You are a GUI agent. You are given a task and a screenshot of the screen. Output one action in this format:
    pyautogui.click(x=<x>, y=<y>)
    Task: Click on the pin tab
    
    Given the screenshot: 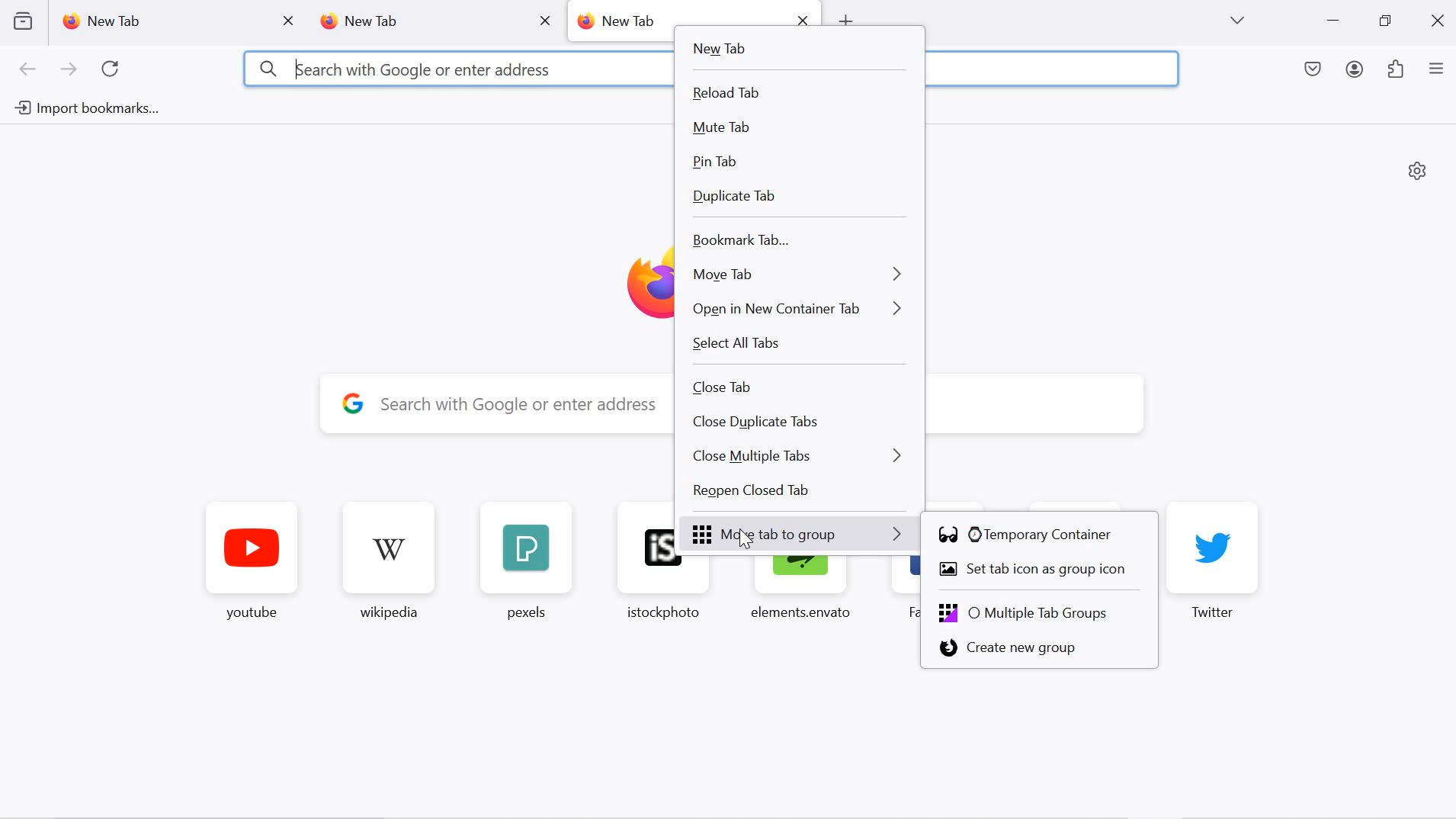 What is the action you would take?
    pyautogui.click(x=792, y=165)
    